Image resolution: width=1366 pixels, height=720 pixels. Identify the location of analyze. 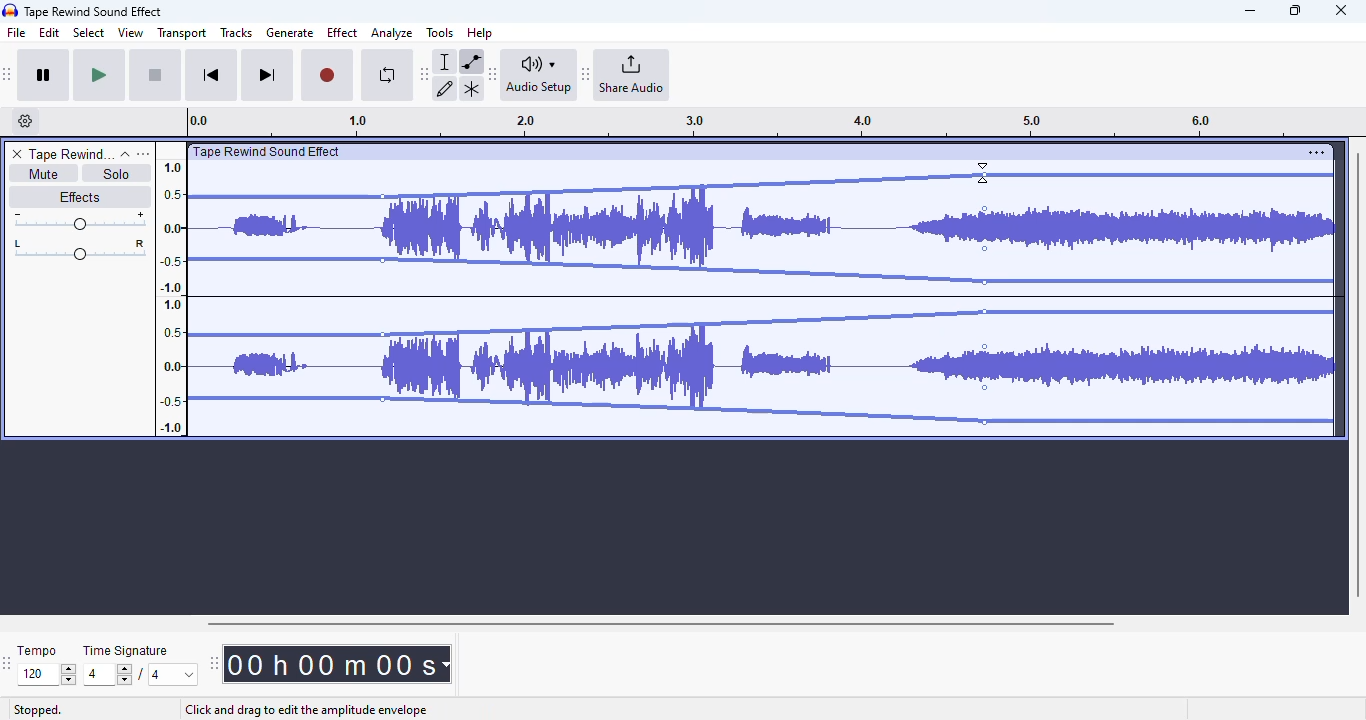
(392, 33).